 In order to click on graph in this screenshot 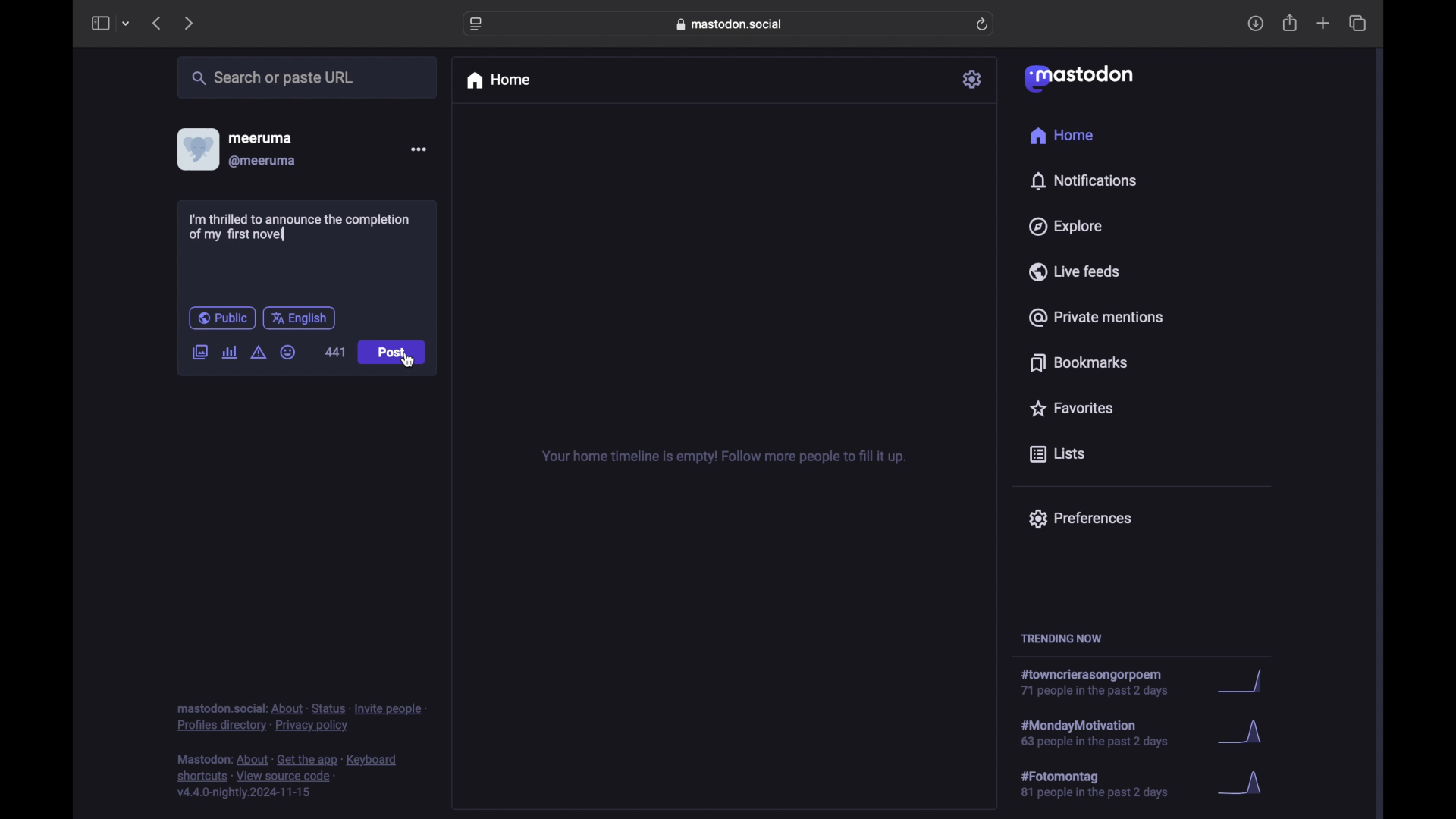, I will do `click(1245, 784)`.